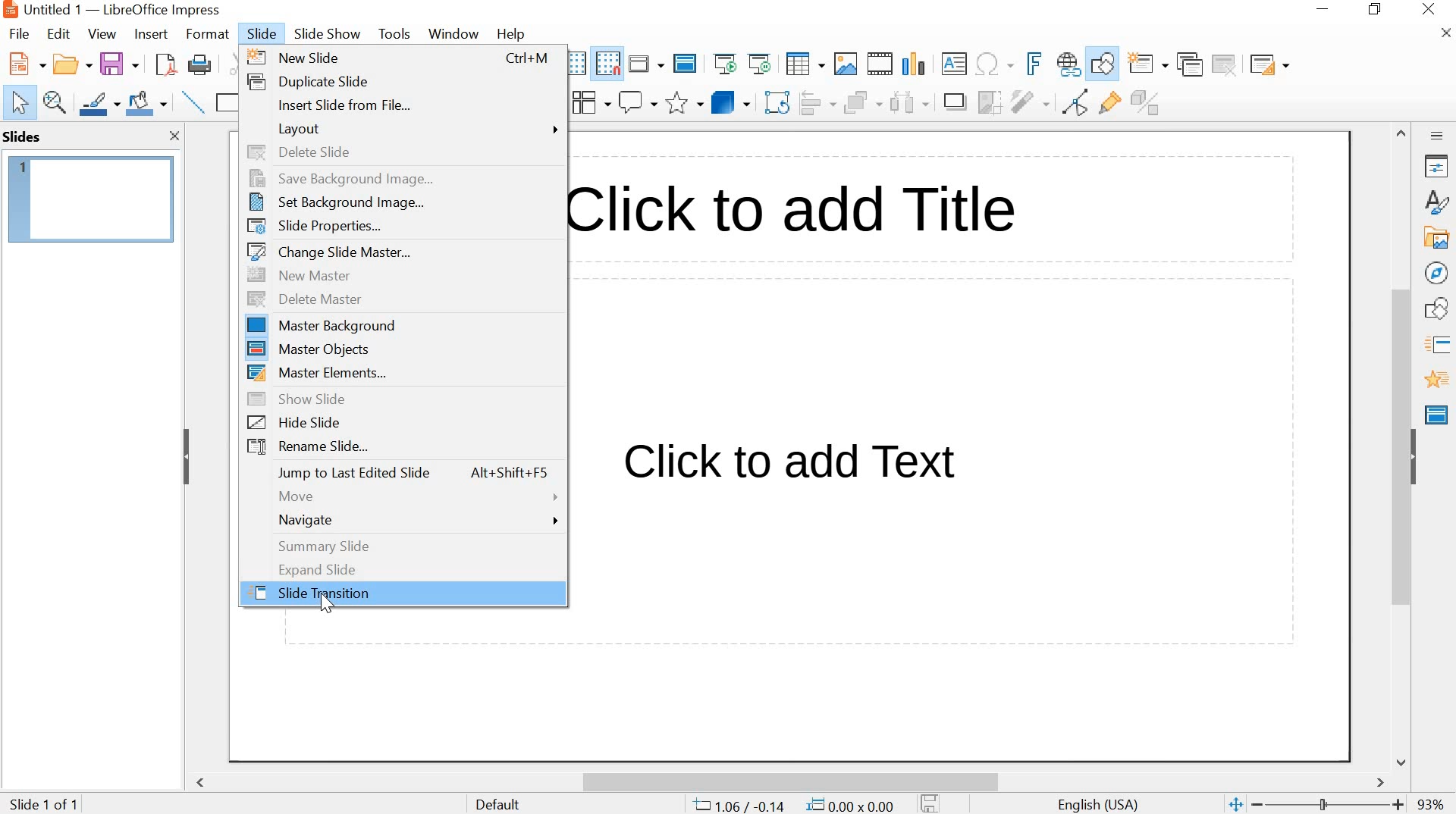  Describe the element at coordinates (402, 349) in the screenshot. I see `master objects` at that location.